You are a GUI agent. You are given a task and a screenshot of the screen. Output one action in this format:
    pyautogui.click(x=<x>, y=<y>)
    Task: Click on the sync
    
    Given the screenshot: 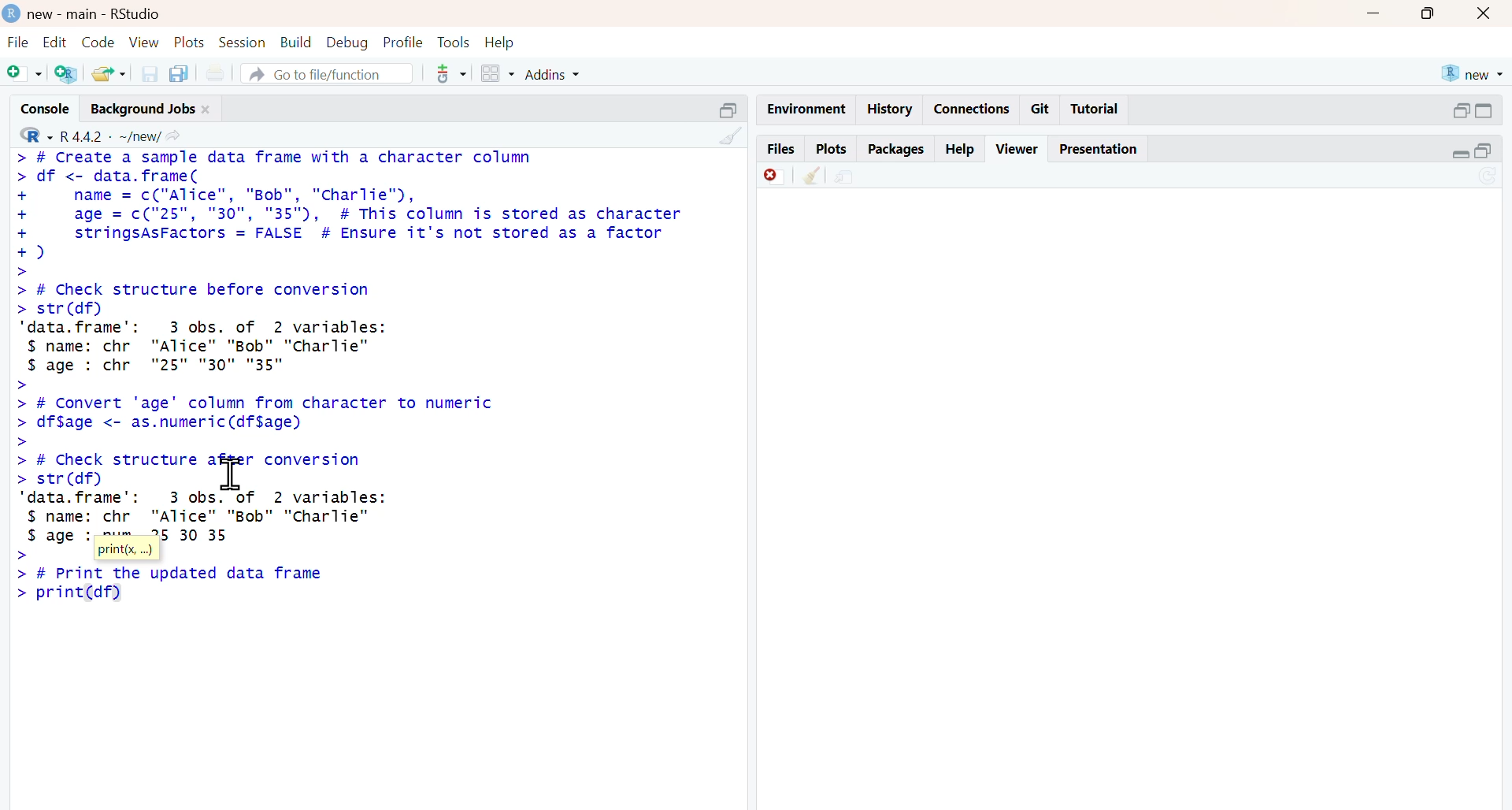 What is the action you would take?
    pyautogui.click(x=1490, y=177)
    